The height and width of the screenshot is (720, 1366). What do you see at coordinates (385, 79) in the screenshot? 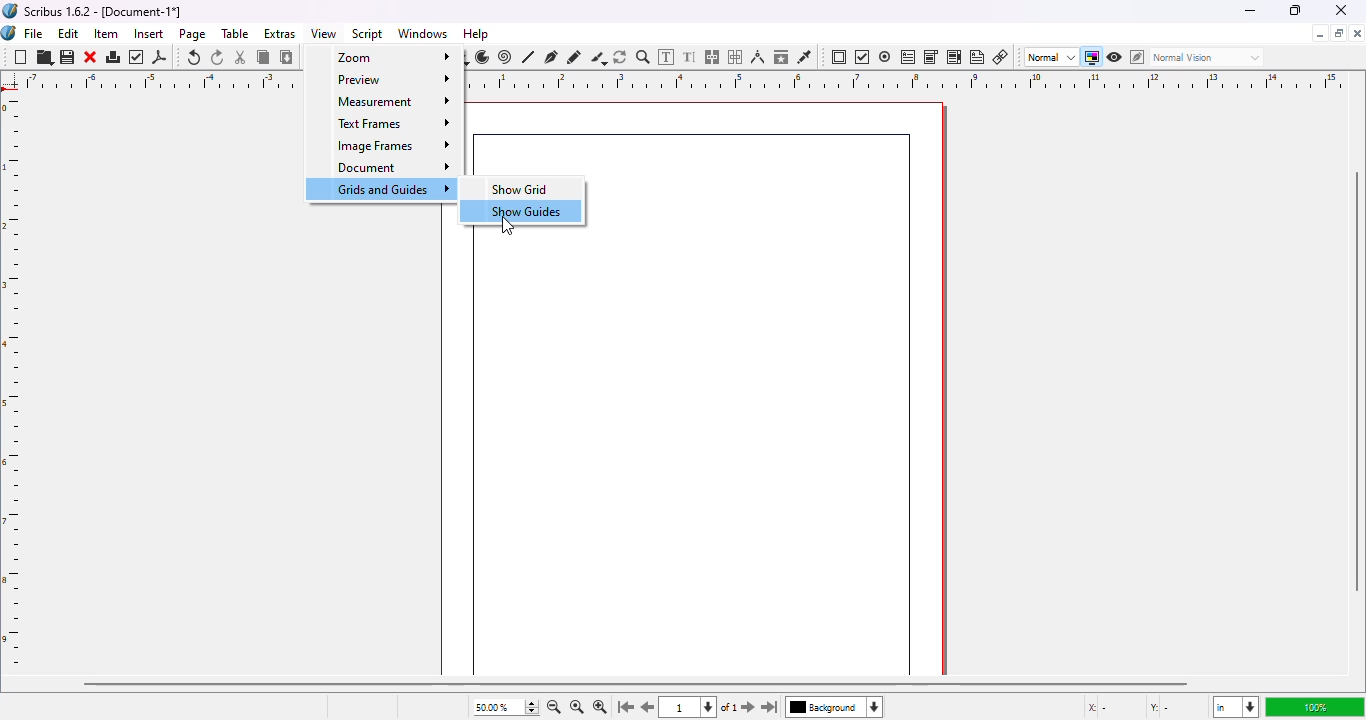
I see `preview` at bounding box center [385, 79].